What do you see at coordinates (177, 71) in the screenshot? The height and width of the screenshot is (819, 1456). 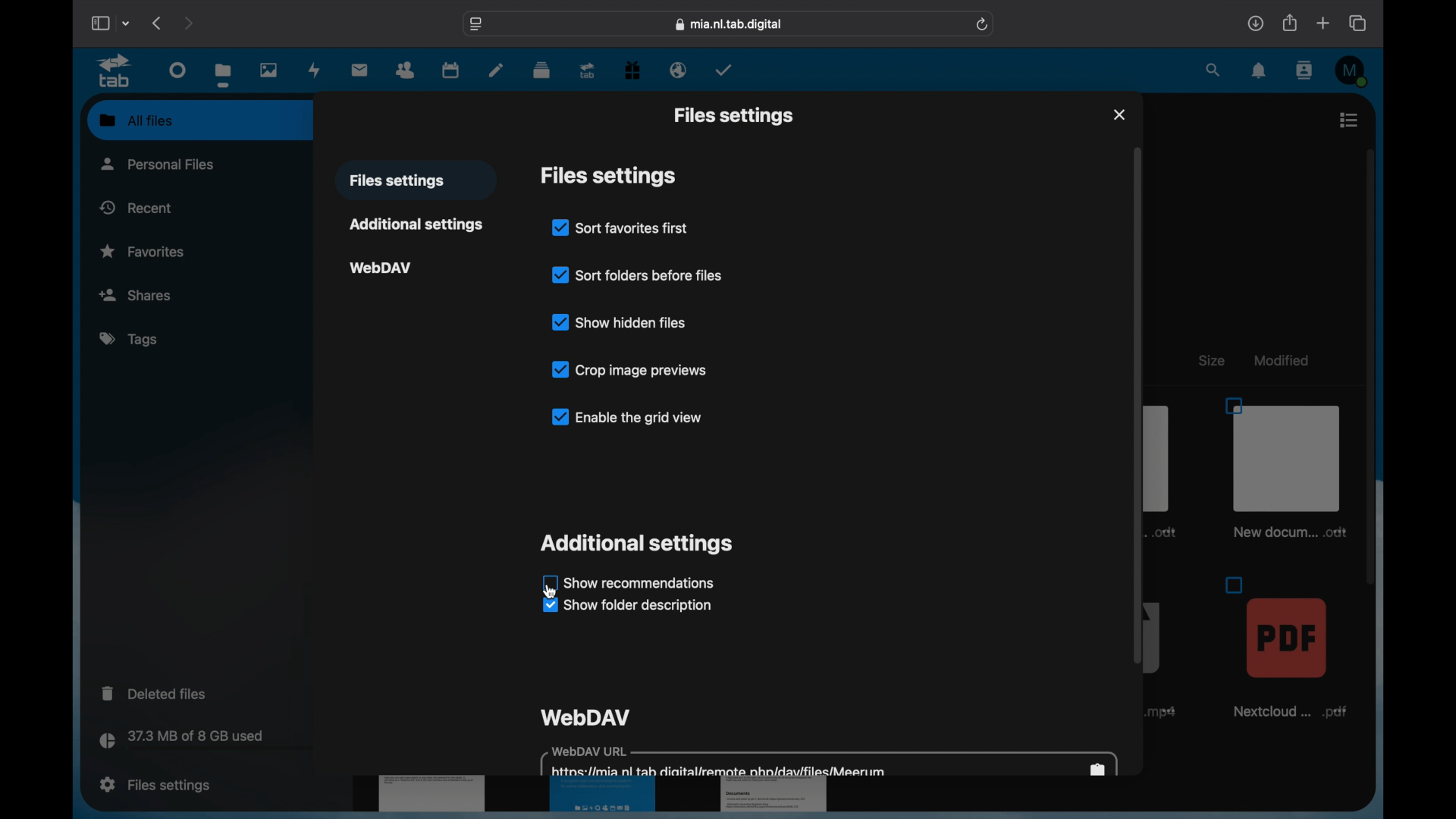 I see `dashboard` at bounding box center [177, 71].